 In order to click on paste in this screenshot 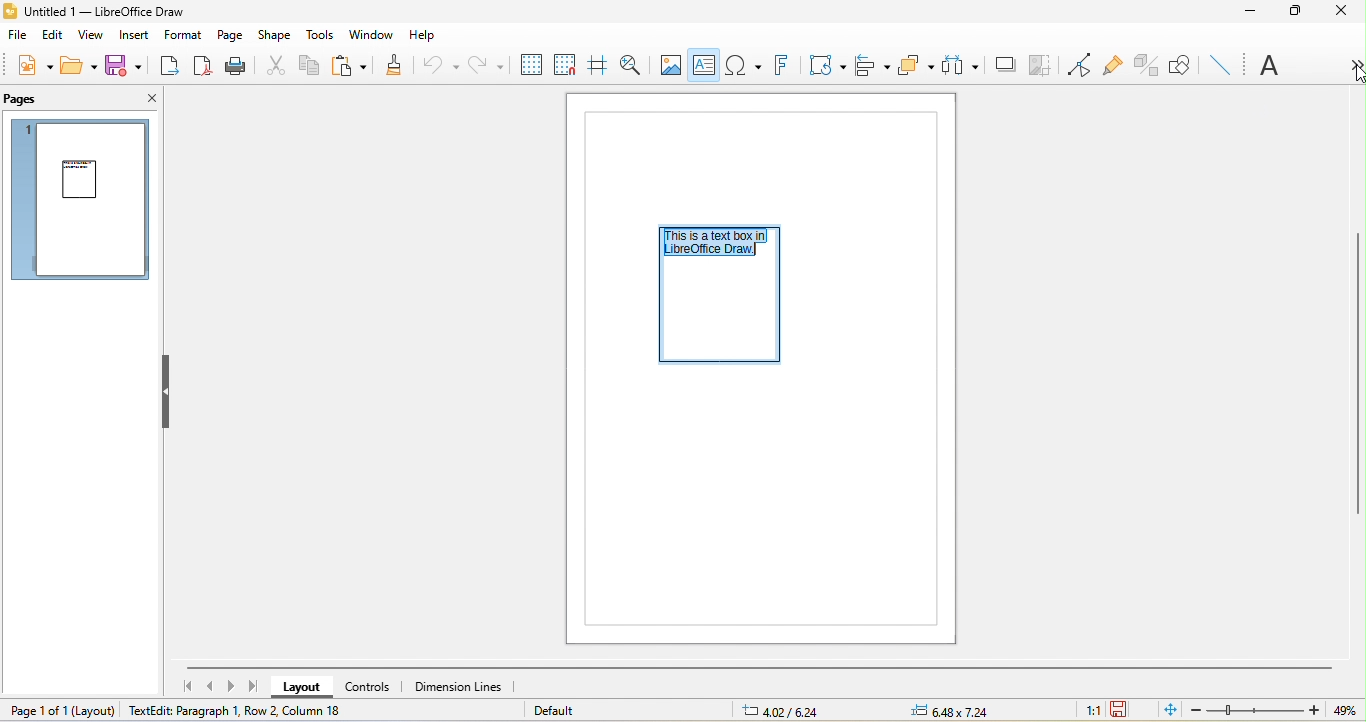, I will do `click(353, 65)`.